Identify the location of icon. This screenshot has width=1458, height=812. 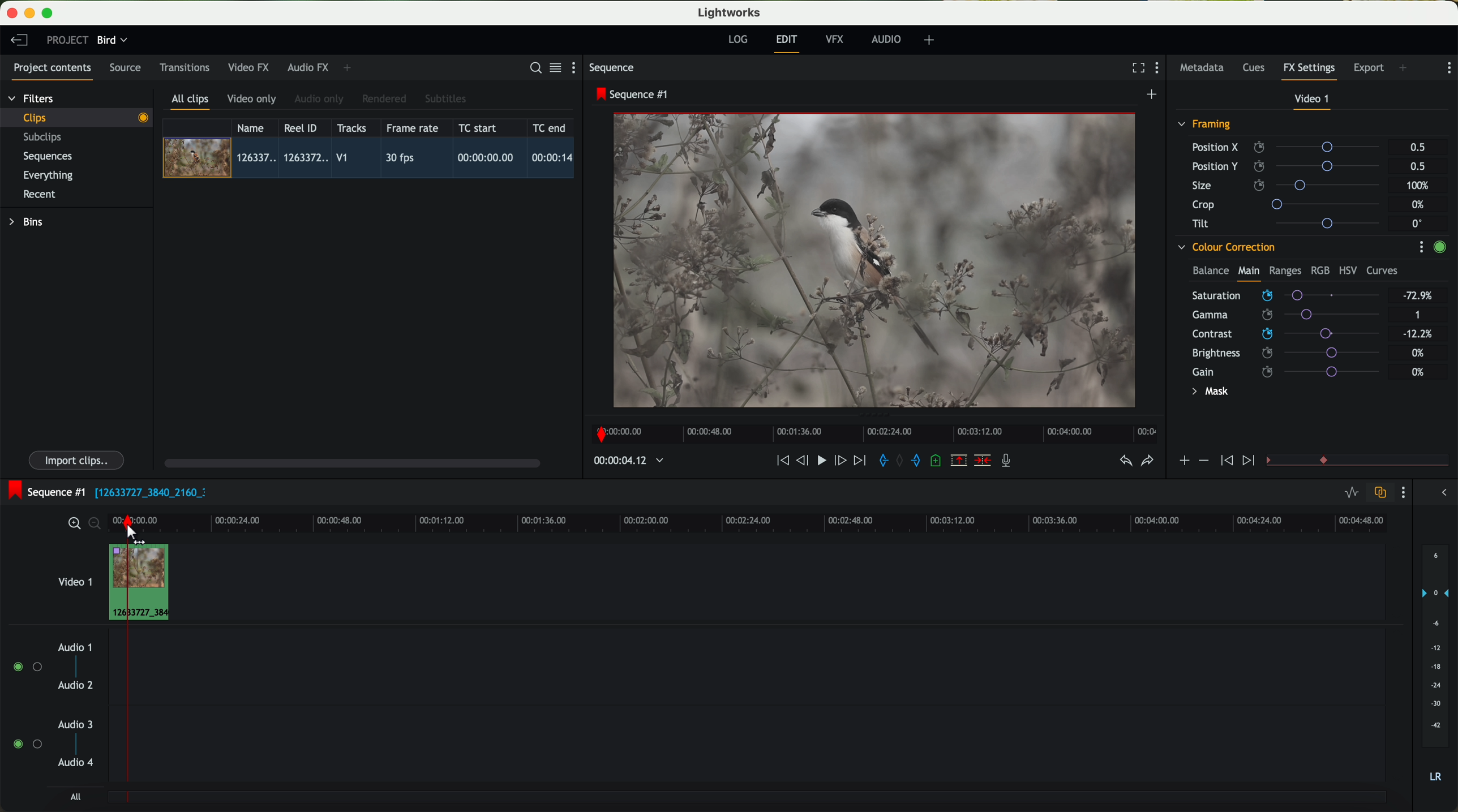
(1250, 461).